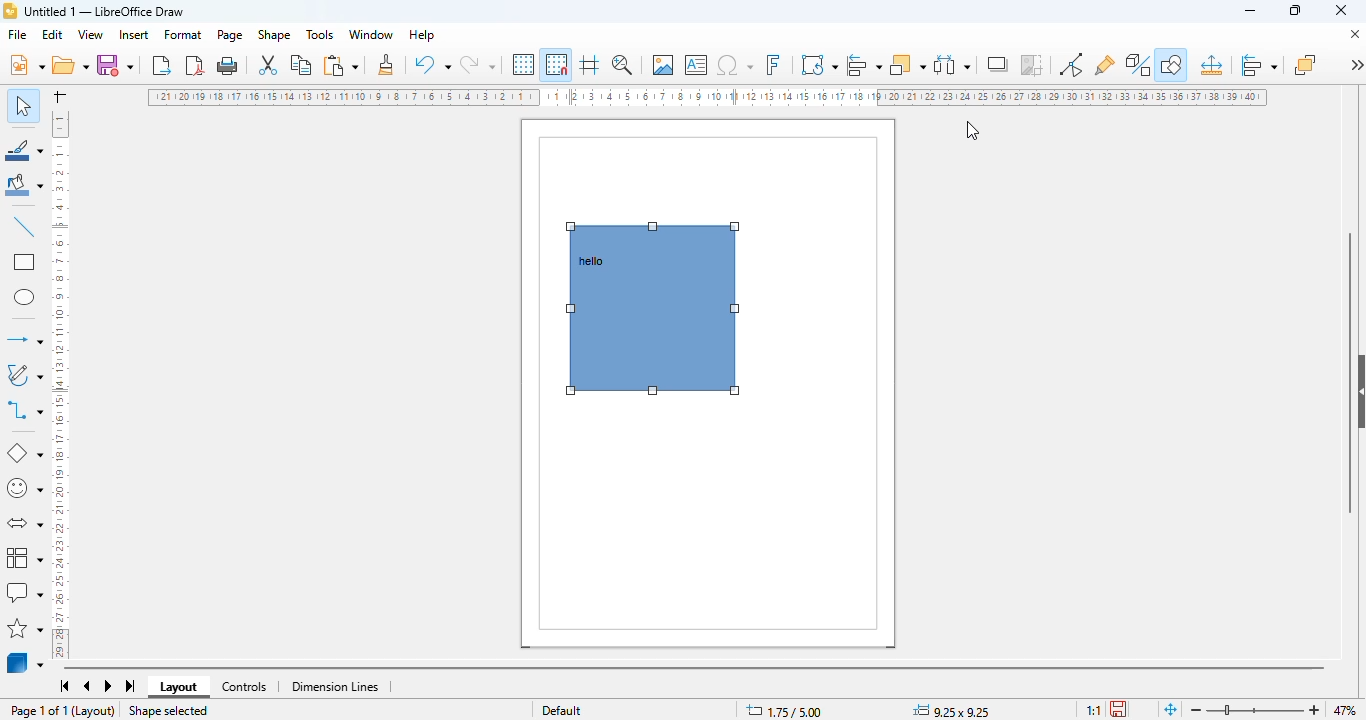  What do you see at coordinates (340, 65) in the screenshot?
I see `paste` at bounding box center [340, 65].